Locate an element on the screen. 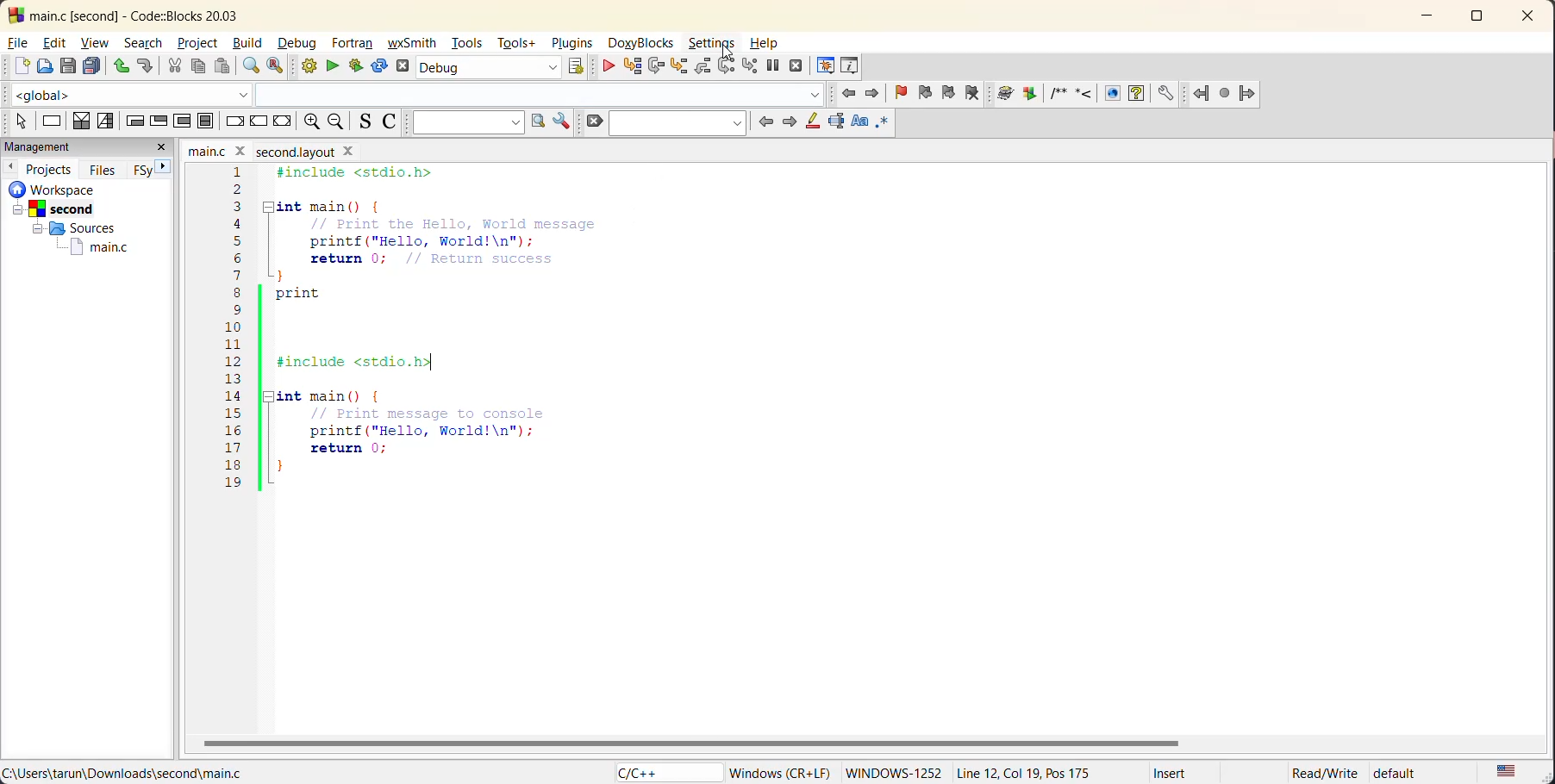  debug is located at coordinates (301, 44).